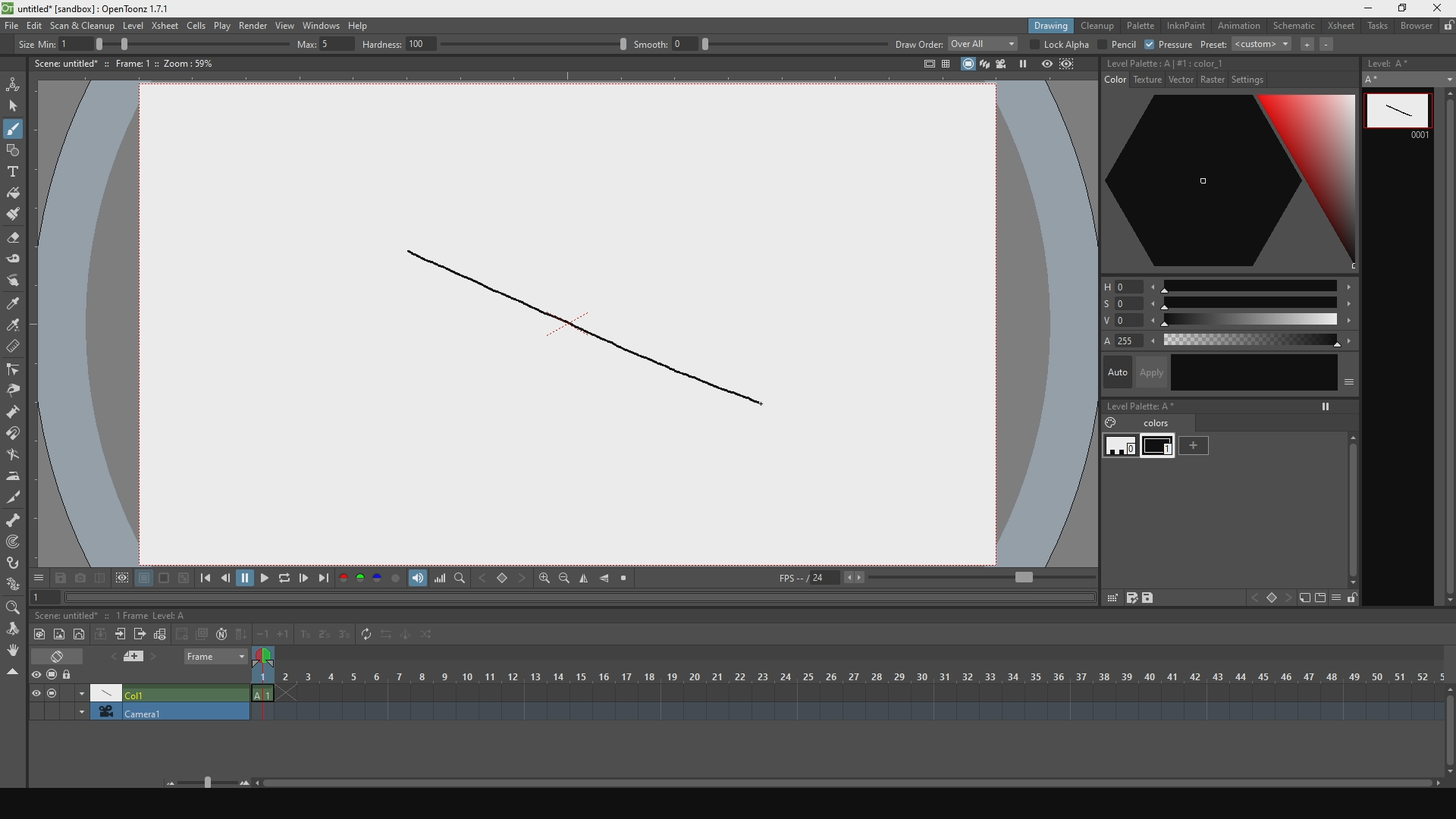 The image size is (1456, 819). Describe the element at coordinates (18, 150) in the screenshot. I see `shape` at that location.